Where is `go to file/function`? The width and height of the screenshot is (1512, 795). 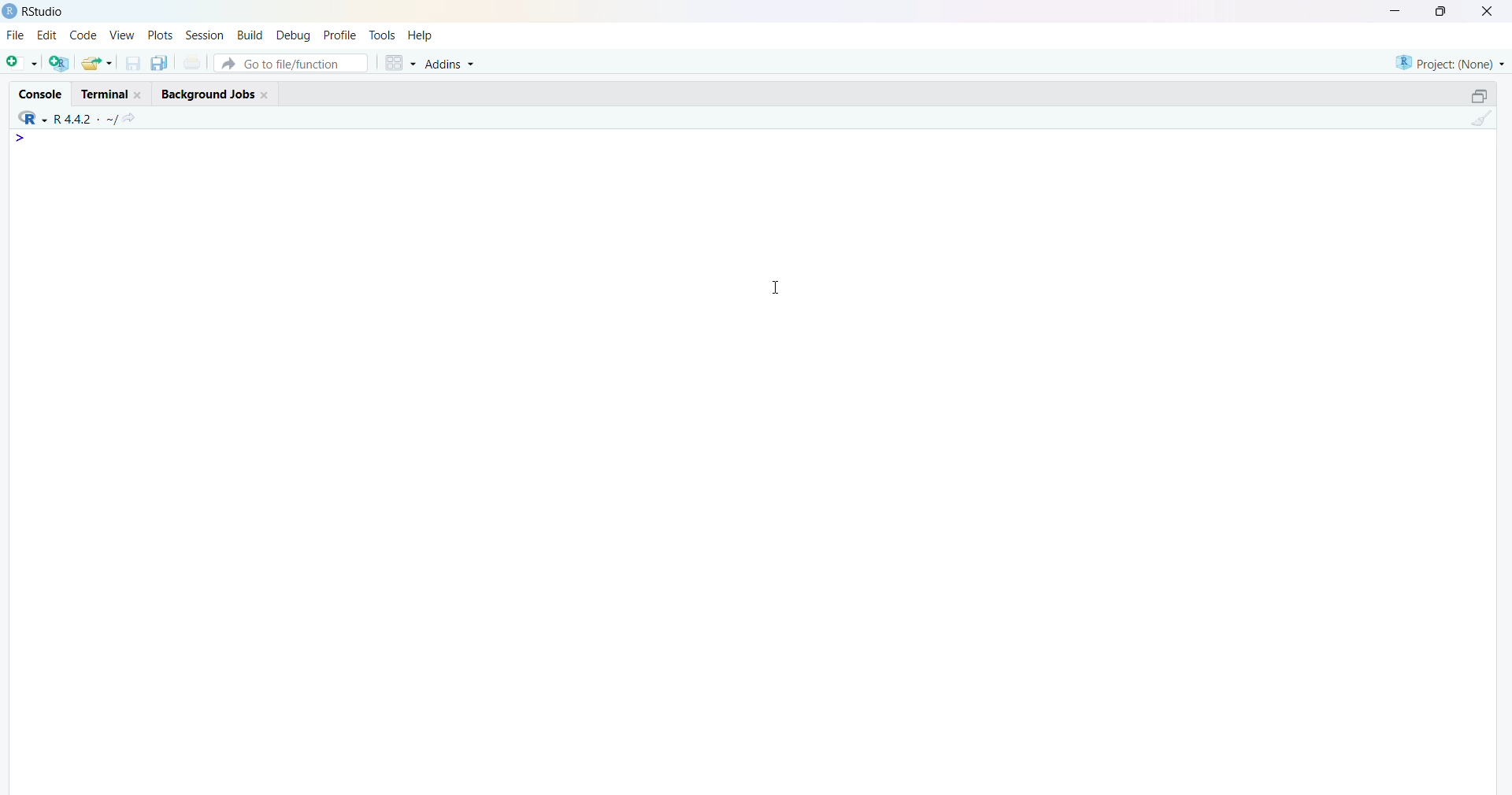 go to file/function is located at coordinates (292, 63).